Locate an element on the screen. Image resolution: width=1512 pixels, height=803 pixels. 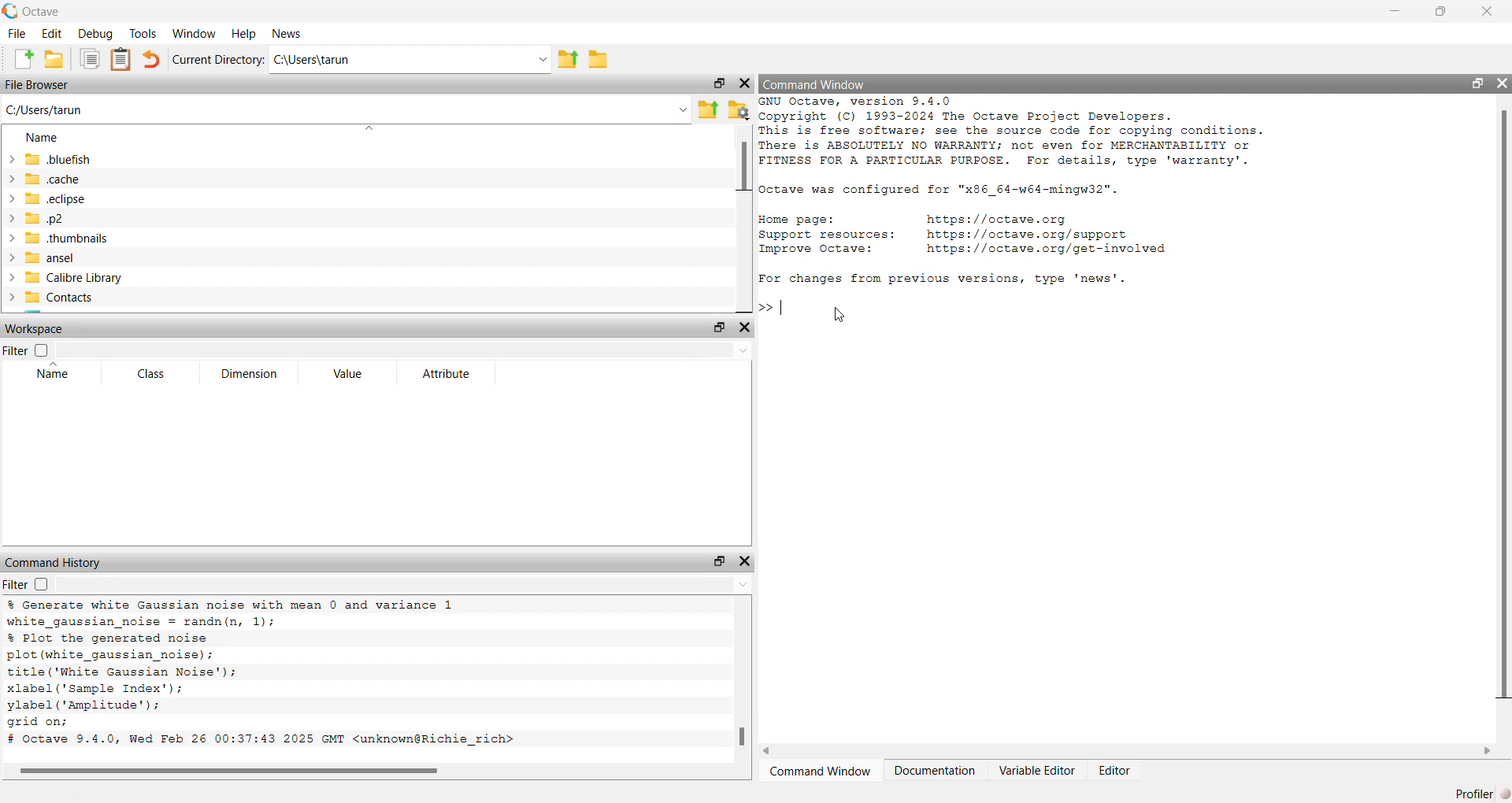
create new is located at coordinates (22, 59).